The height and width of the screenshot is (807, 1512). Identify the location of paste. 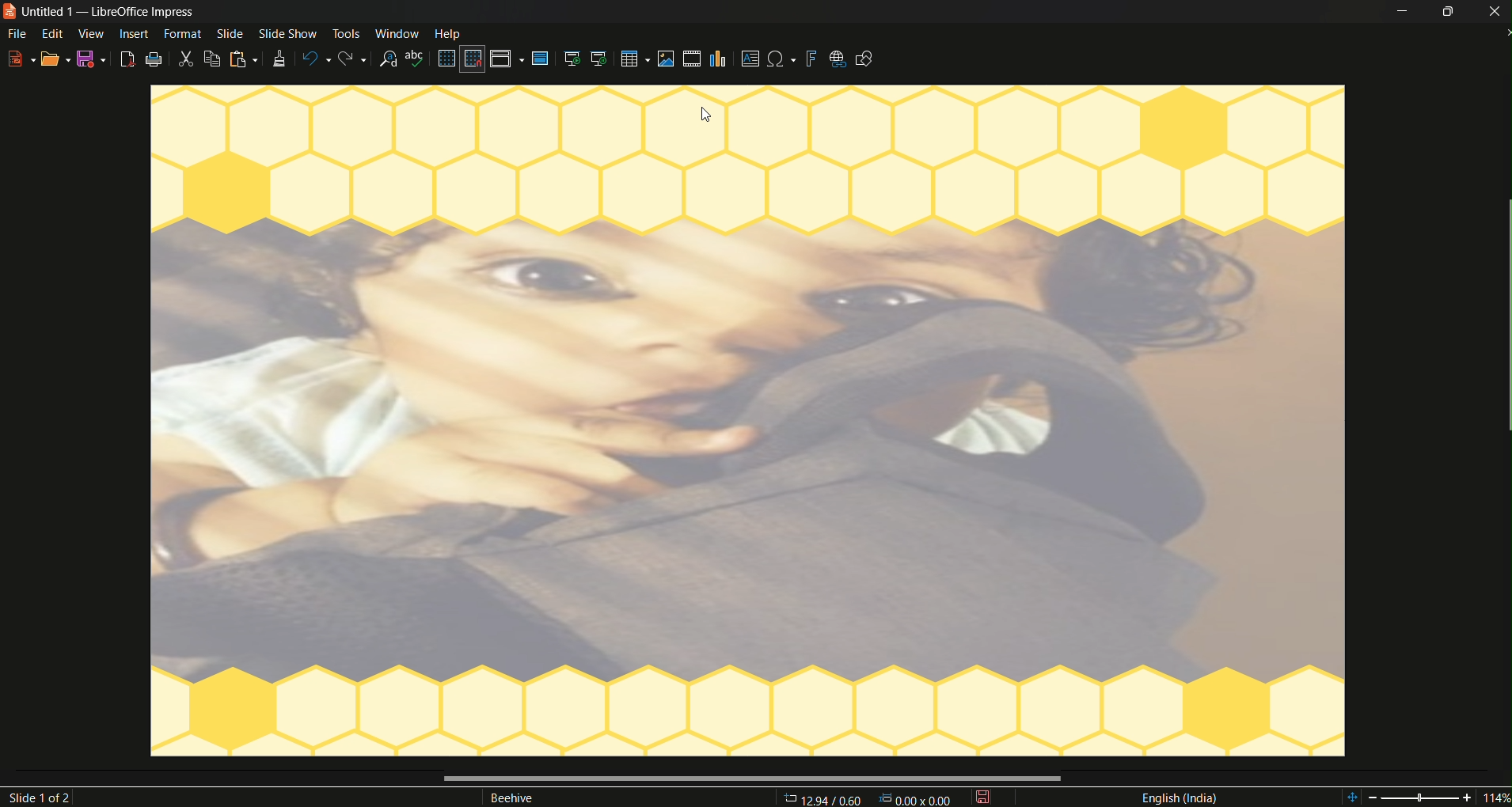
(243, 60).